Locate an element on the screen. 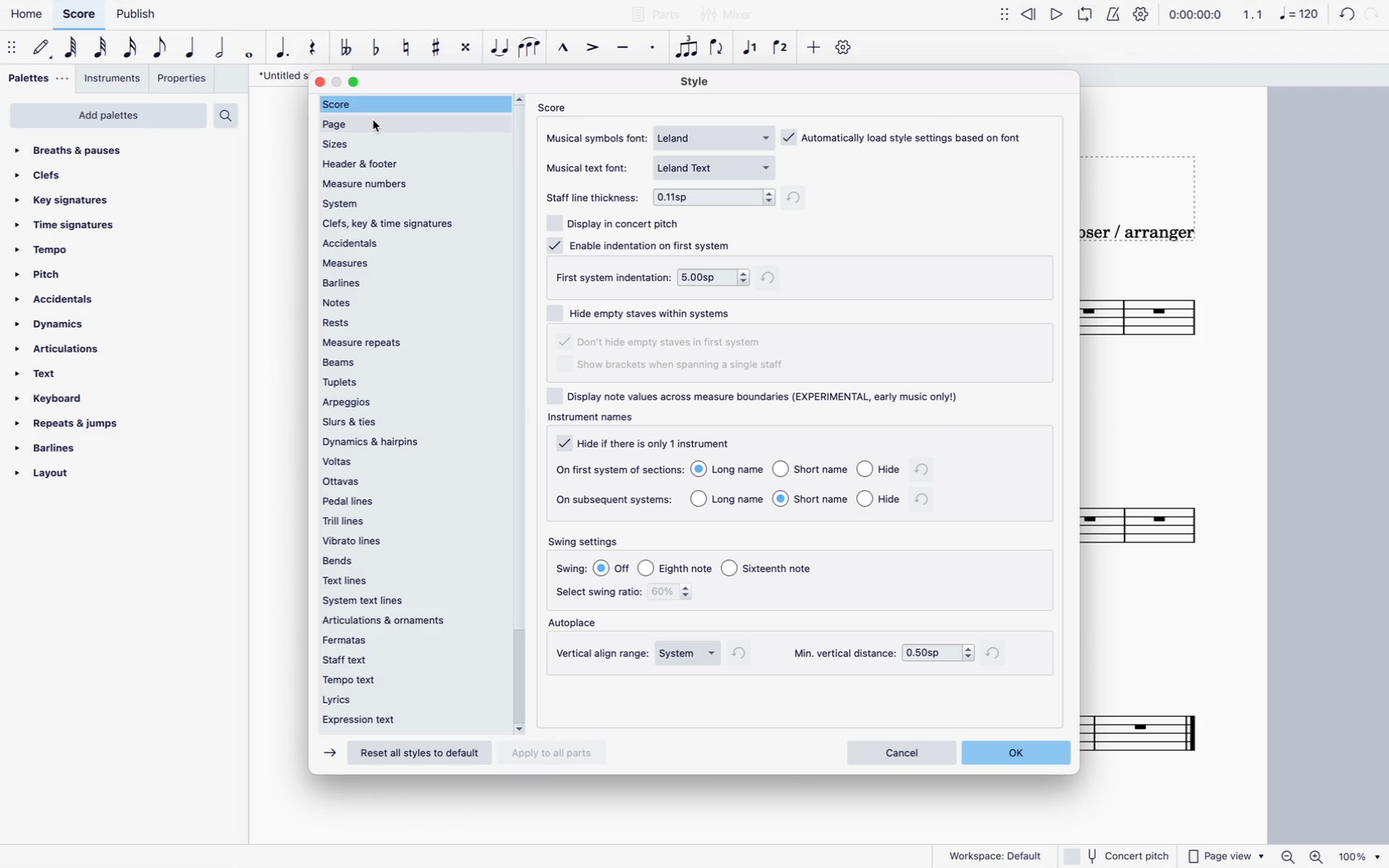 The image size is (1389, 868). bends is located at coordinates (405, 559).